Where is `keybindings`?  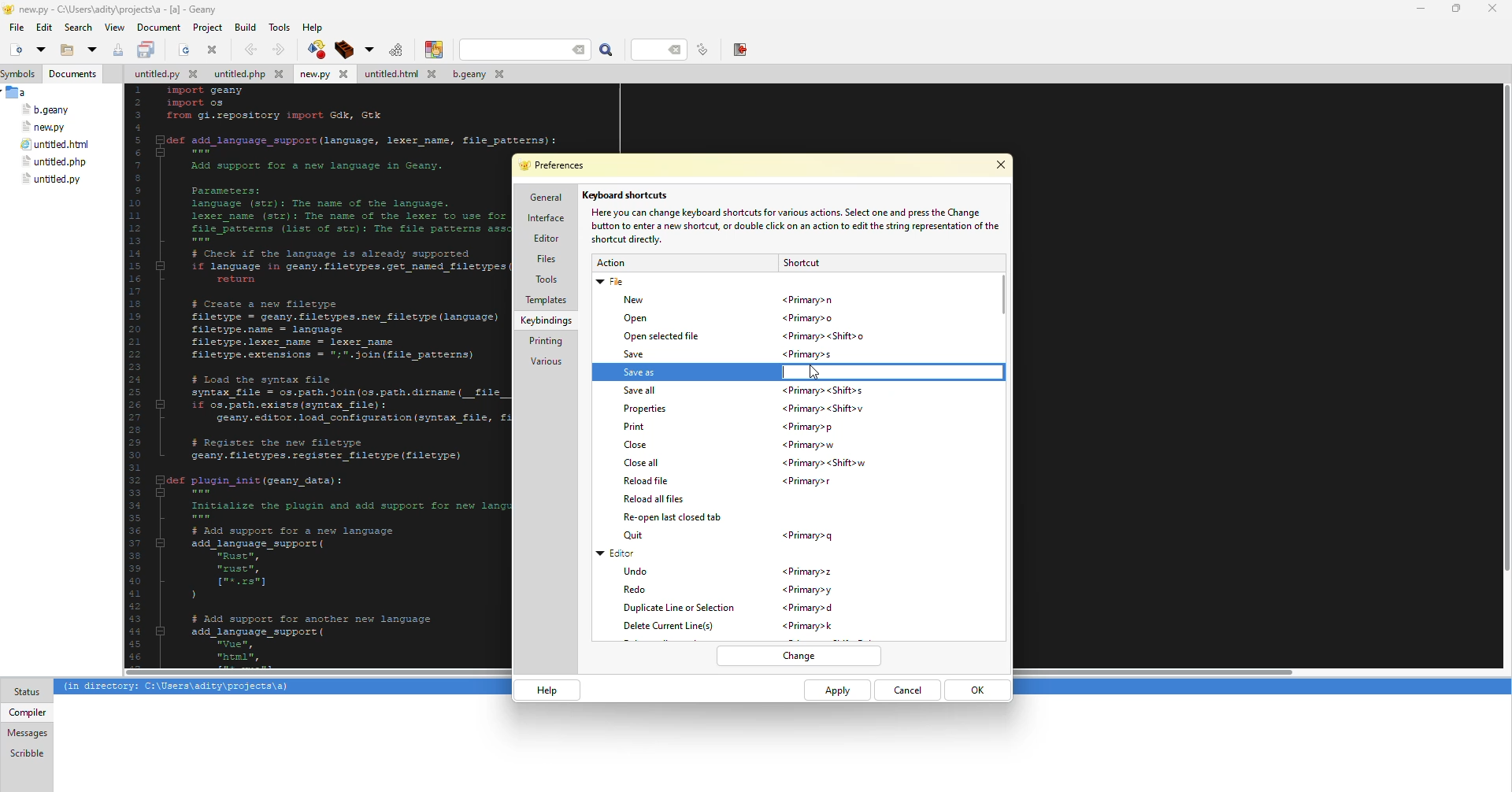 keybindings is located at coordinates (547, 320).